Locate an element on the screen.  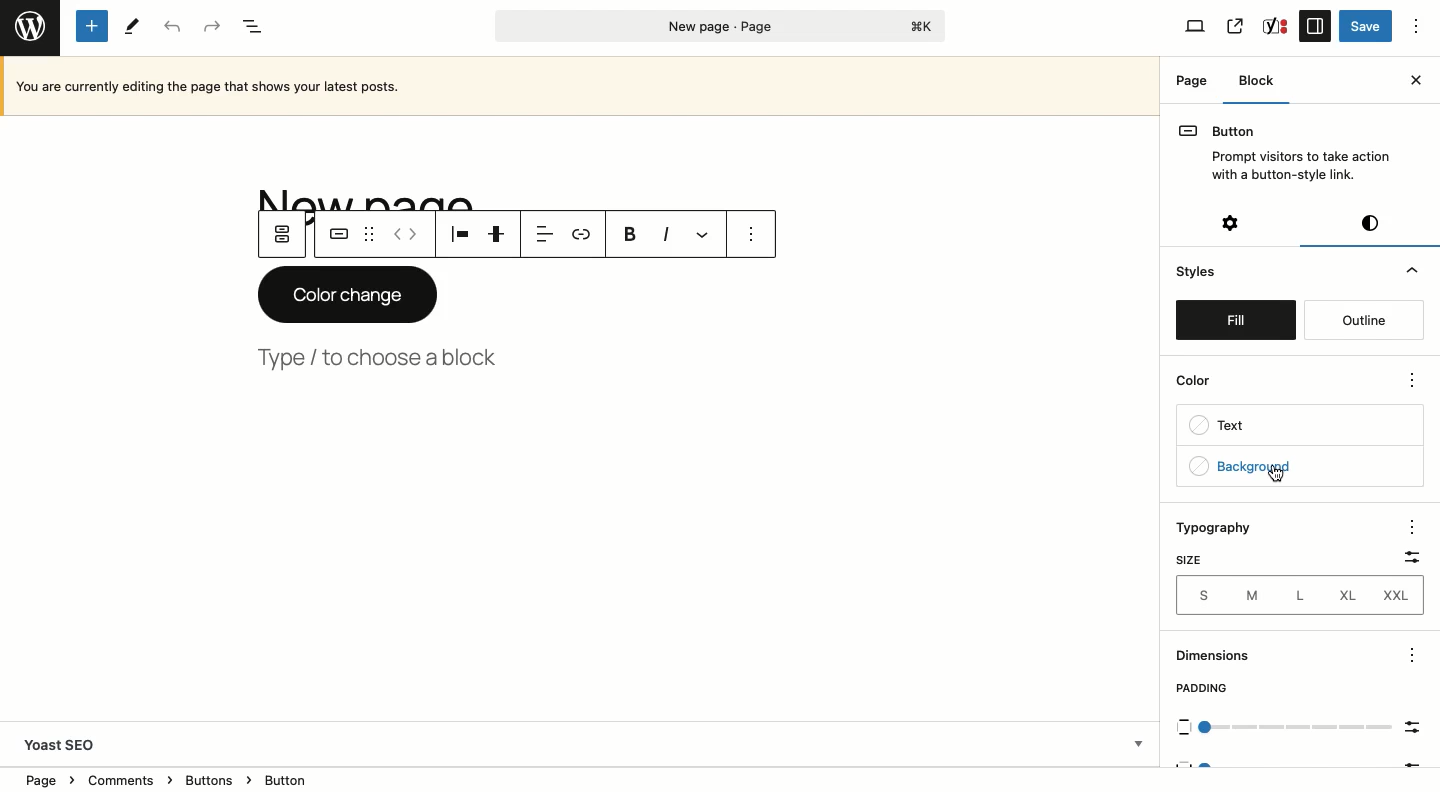
Filter is located at coordinates (1406, 557).